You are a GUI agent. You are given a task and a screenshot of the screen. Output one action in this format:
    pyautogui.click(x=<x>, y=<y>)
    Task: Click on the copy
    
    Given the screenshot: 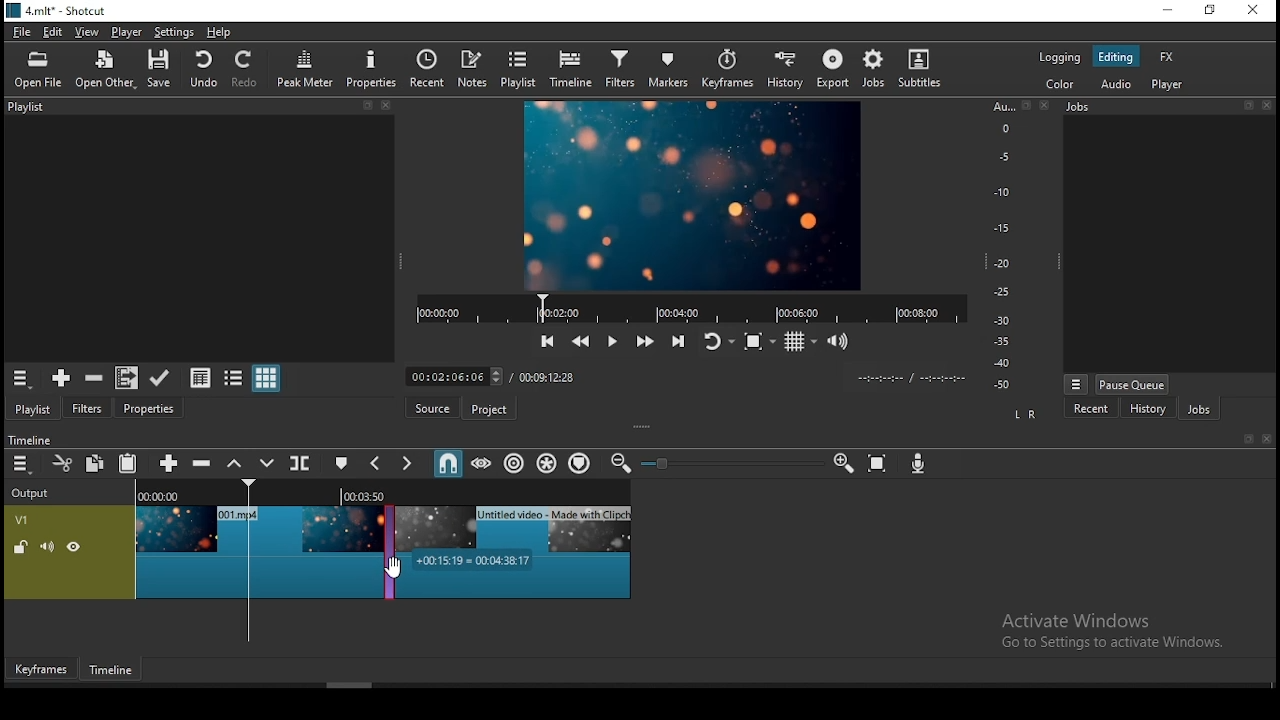 What is the action you would take?
    pyautogui.click(x=95, y=464)
    